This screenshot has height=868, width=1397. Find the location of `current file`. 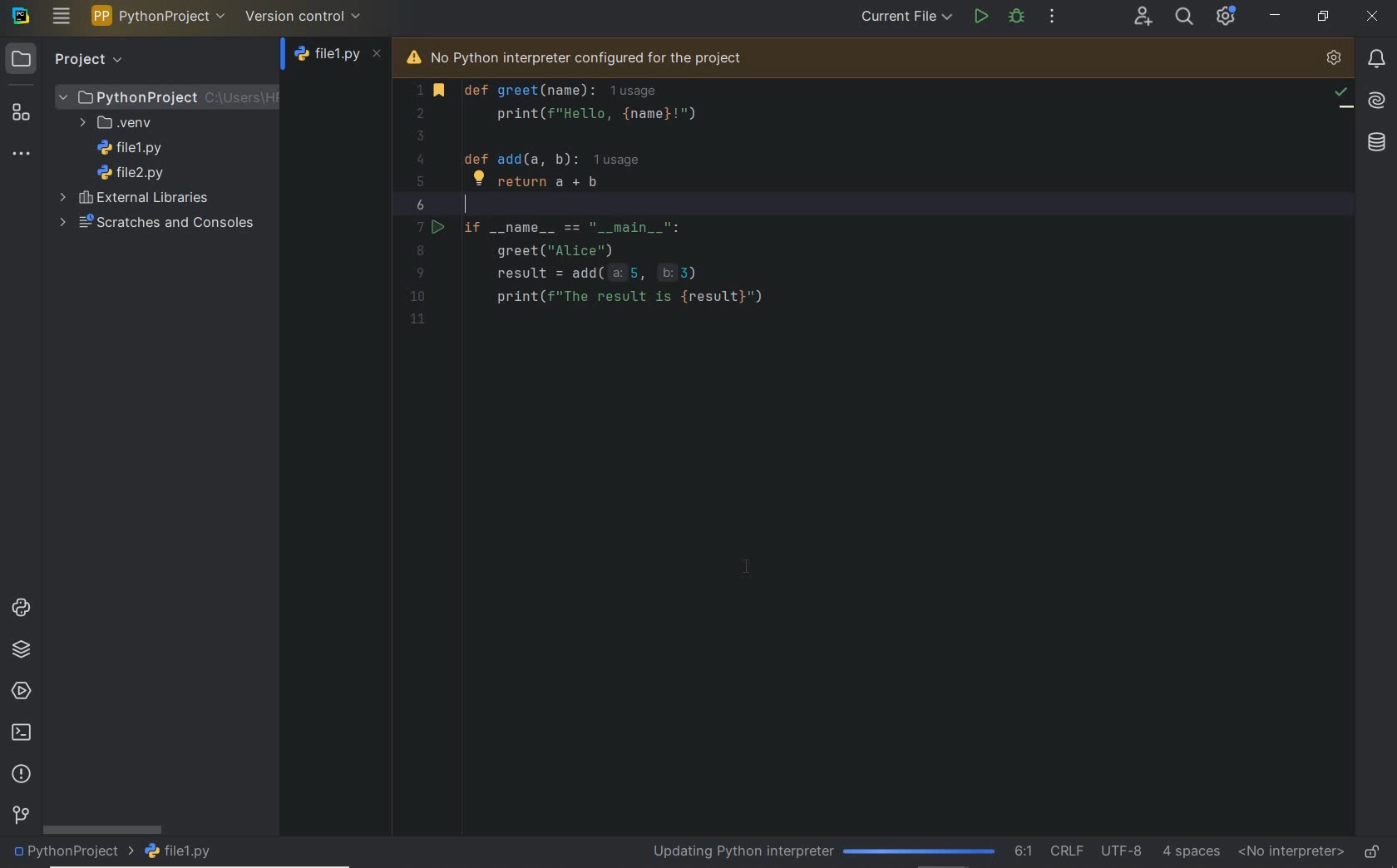

current file is located at coordinates (906, 17).